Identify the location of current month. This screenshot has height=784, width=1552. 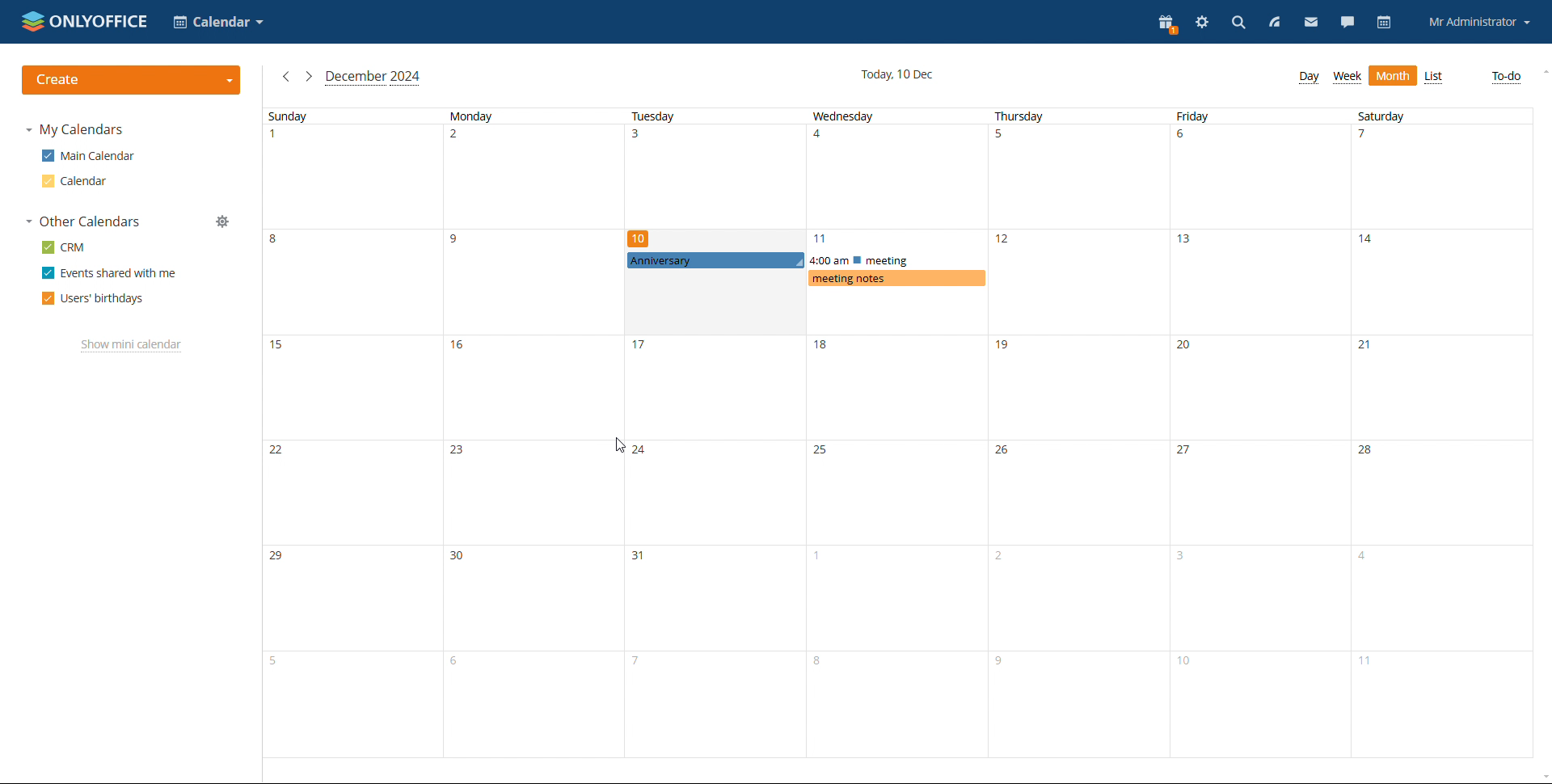
(373, 78).